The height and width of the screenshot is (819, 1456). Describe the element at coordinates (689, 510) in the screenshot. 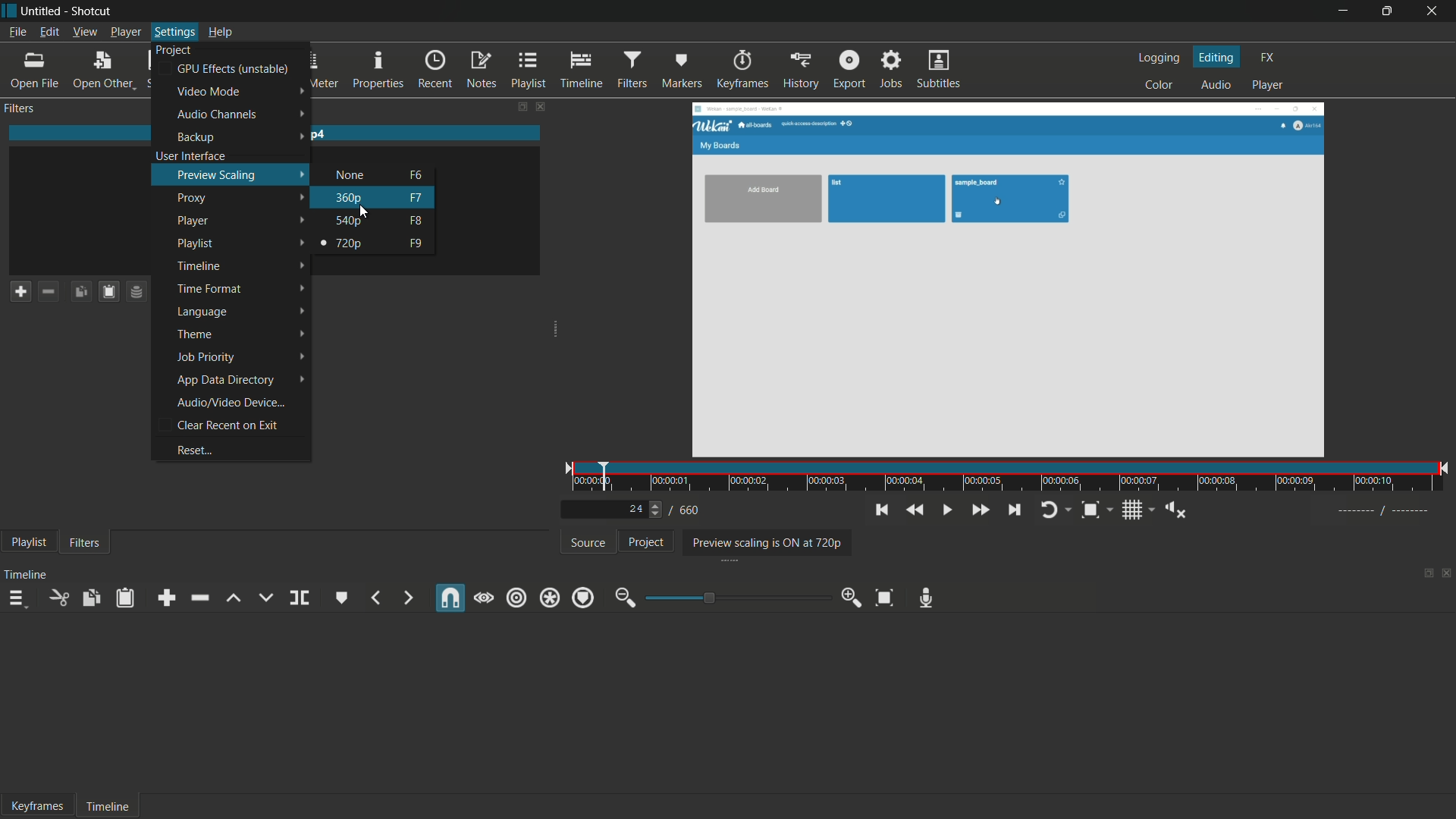

I see `total frames` at that location.